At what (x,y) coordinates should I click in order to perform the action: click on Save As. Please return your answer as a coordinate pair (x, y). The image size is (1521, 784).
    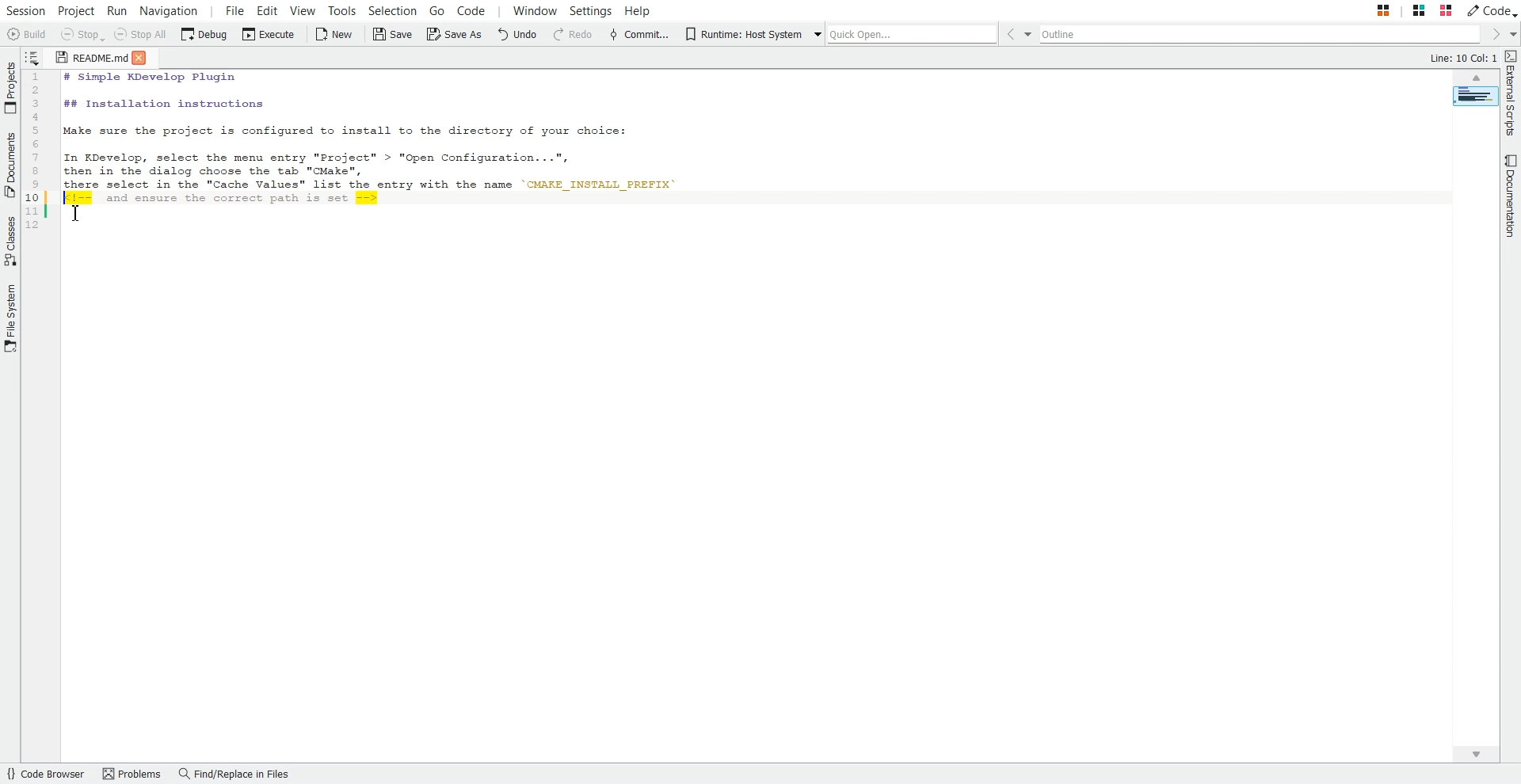
    Looking at the image, I should click on (453, 35).